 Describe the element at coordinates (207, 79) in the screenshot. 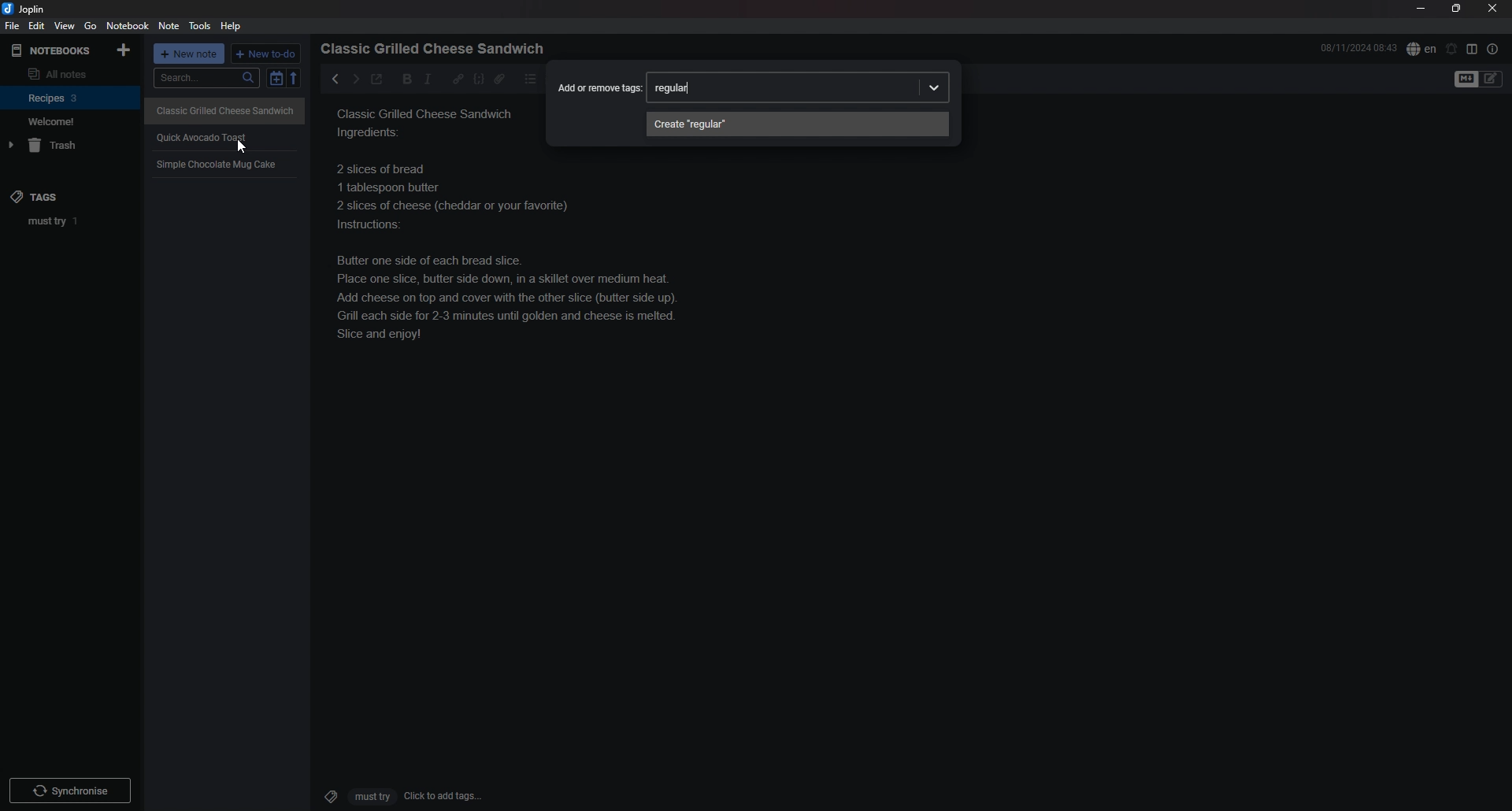

I see `search` at that location.